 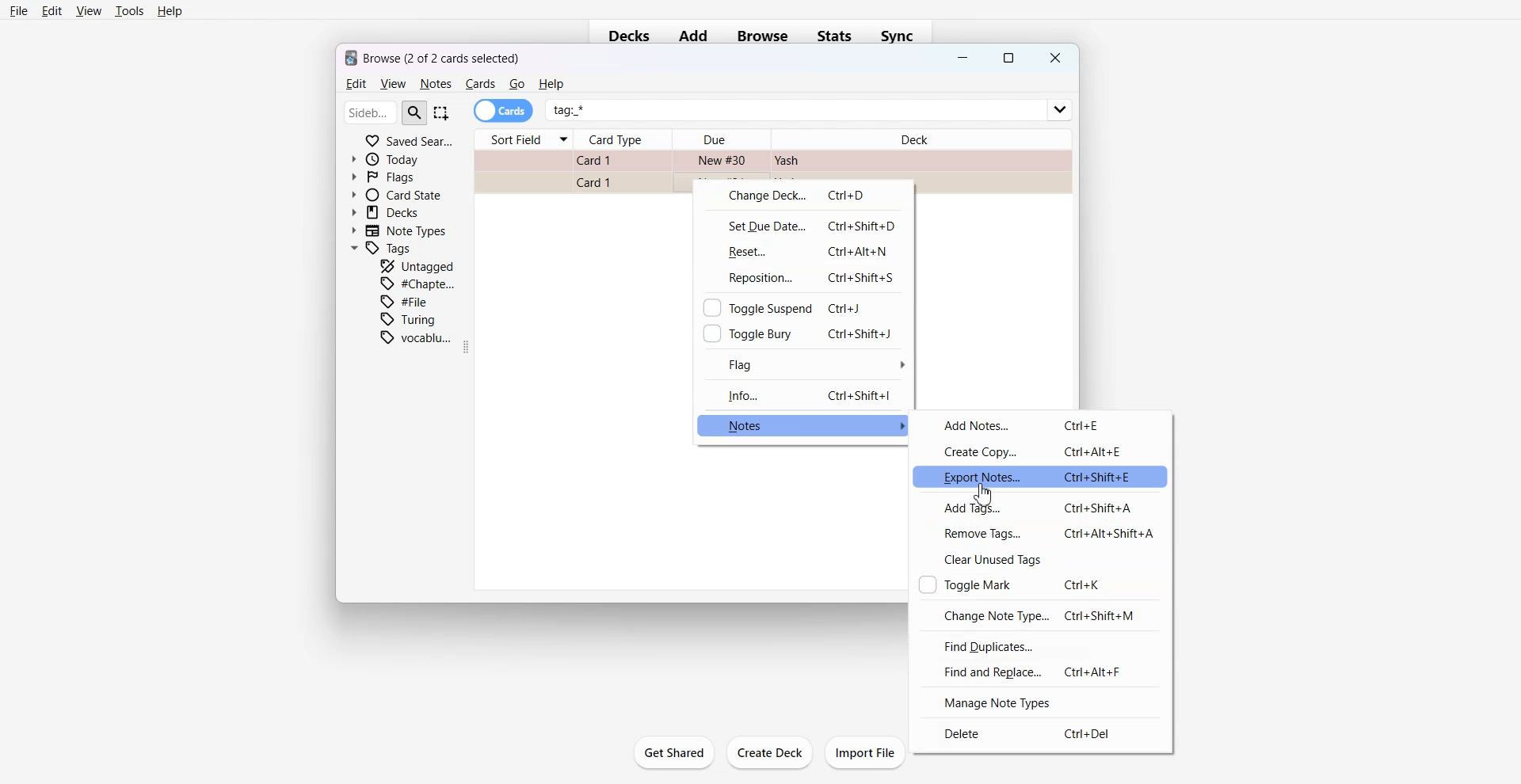 What do you see at coordinates (990, 497) in the screenshot?
I see `cursor` at bounding box center [990, 497].